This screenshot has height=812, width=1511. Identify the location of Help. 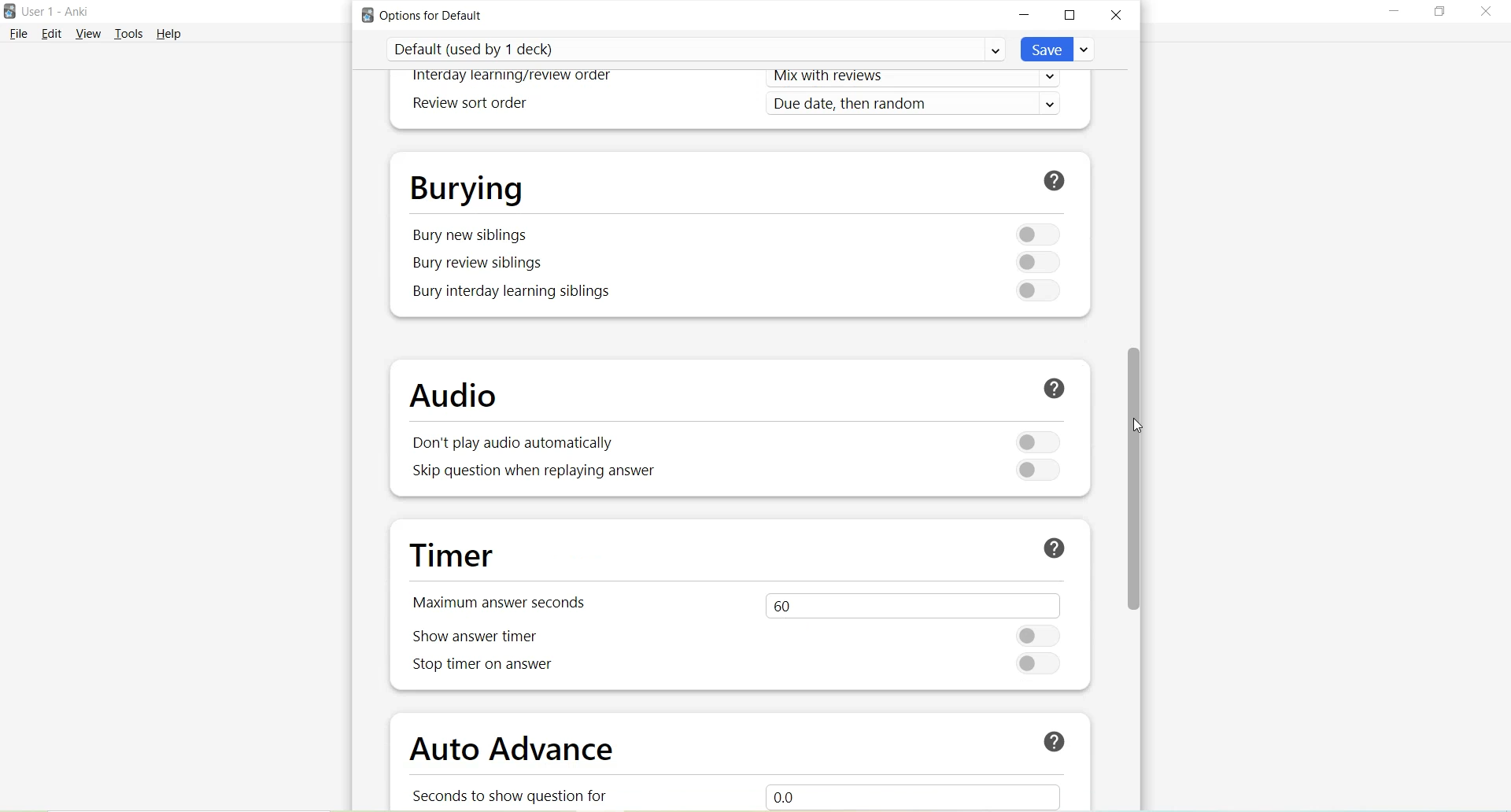
(169, 33).